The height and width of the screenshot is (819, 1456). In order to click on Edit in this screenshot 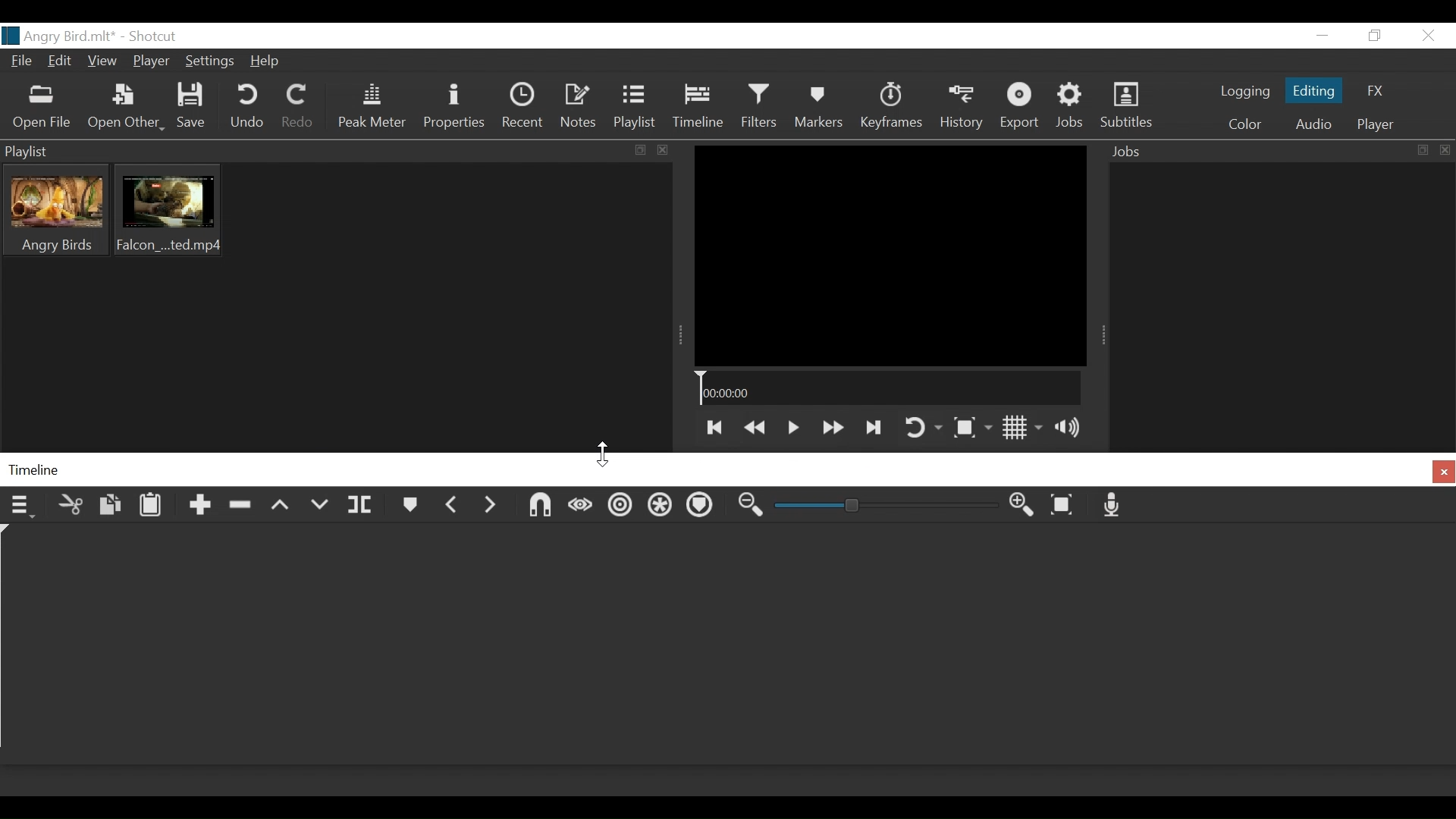, I will do `click(61, 61)`.